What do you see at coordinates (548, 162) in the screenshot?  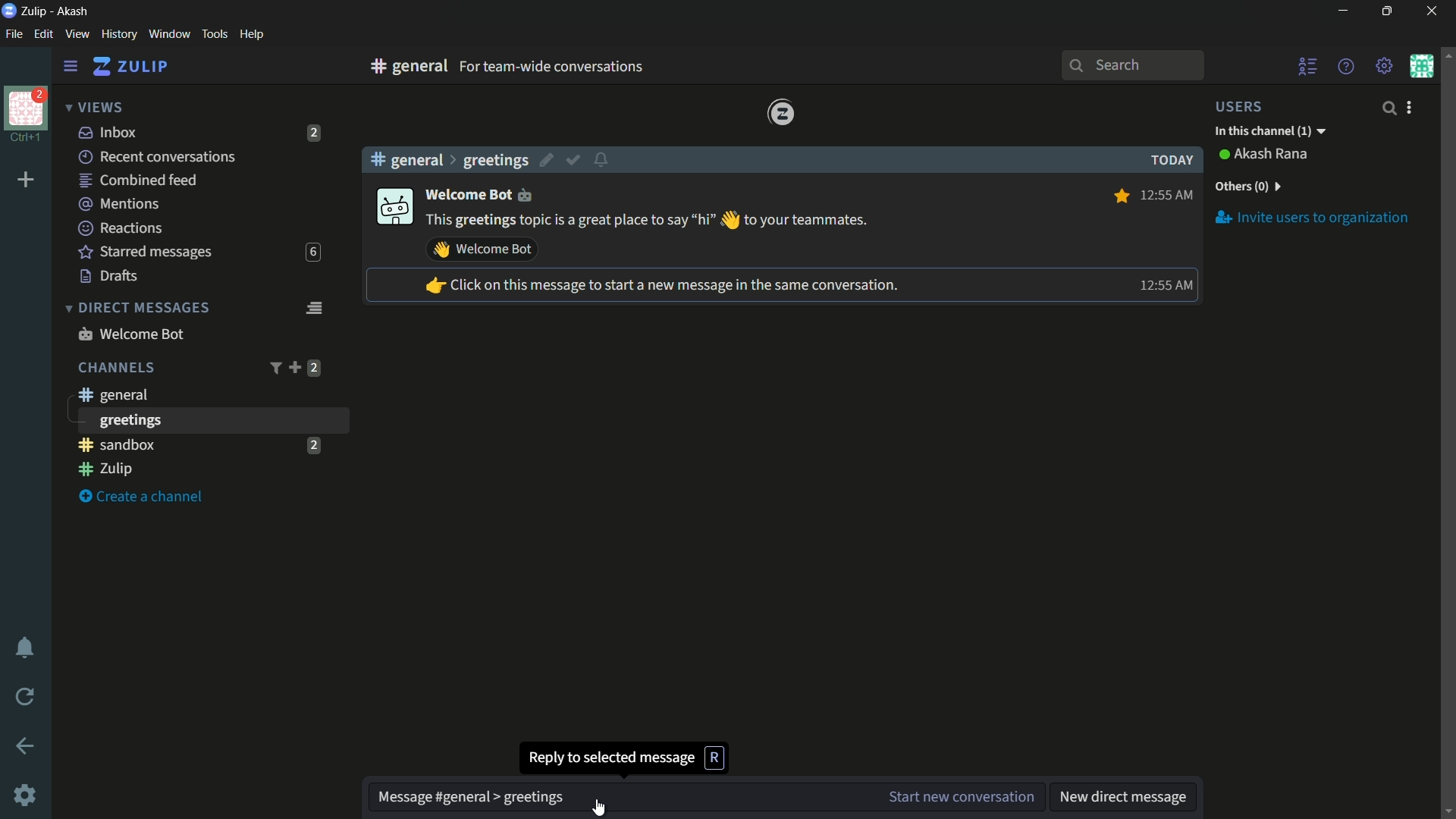 I see `edit topic` at bounding box center [548, 162].